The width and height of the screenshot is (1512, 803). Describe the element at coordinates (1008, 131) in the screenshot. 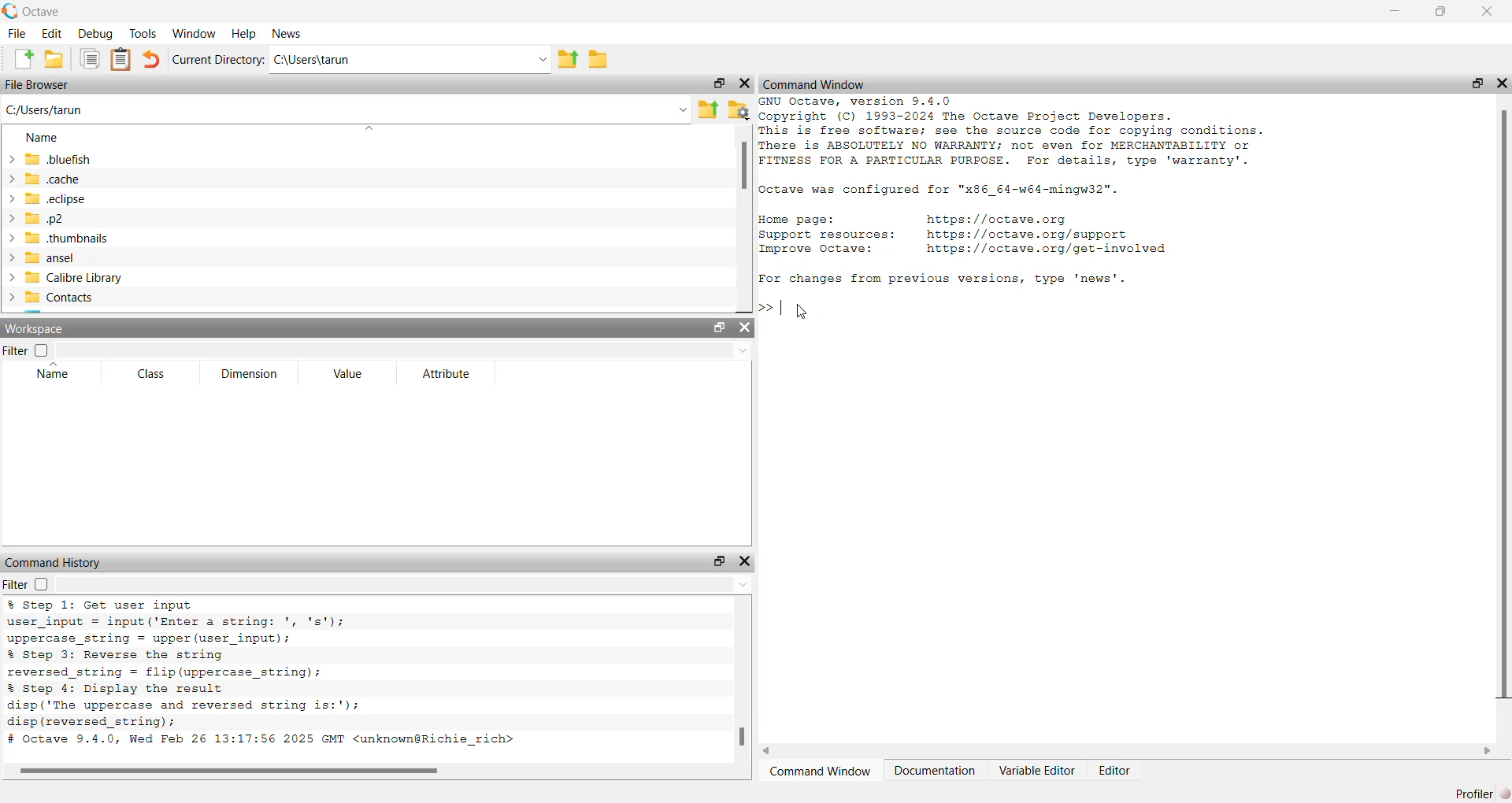

I see `details of octave version and copyright` at that location.